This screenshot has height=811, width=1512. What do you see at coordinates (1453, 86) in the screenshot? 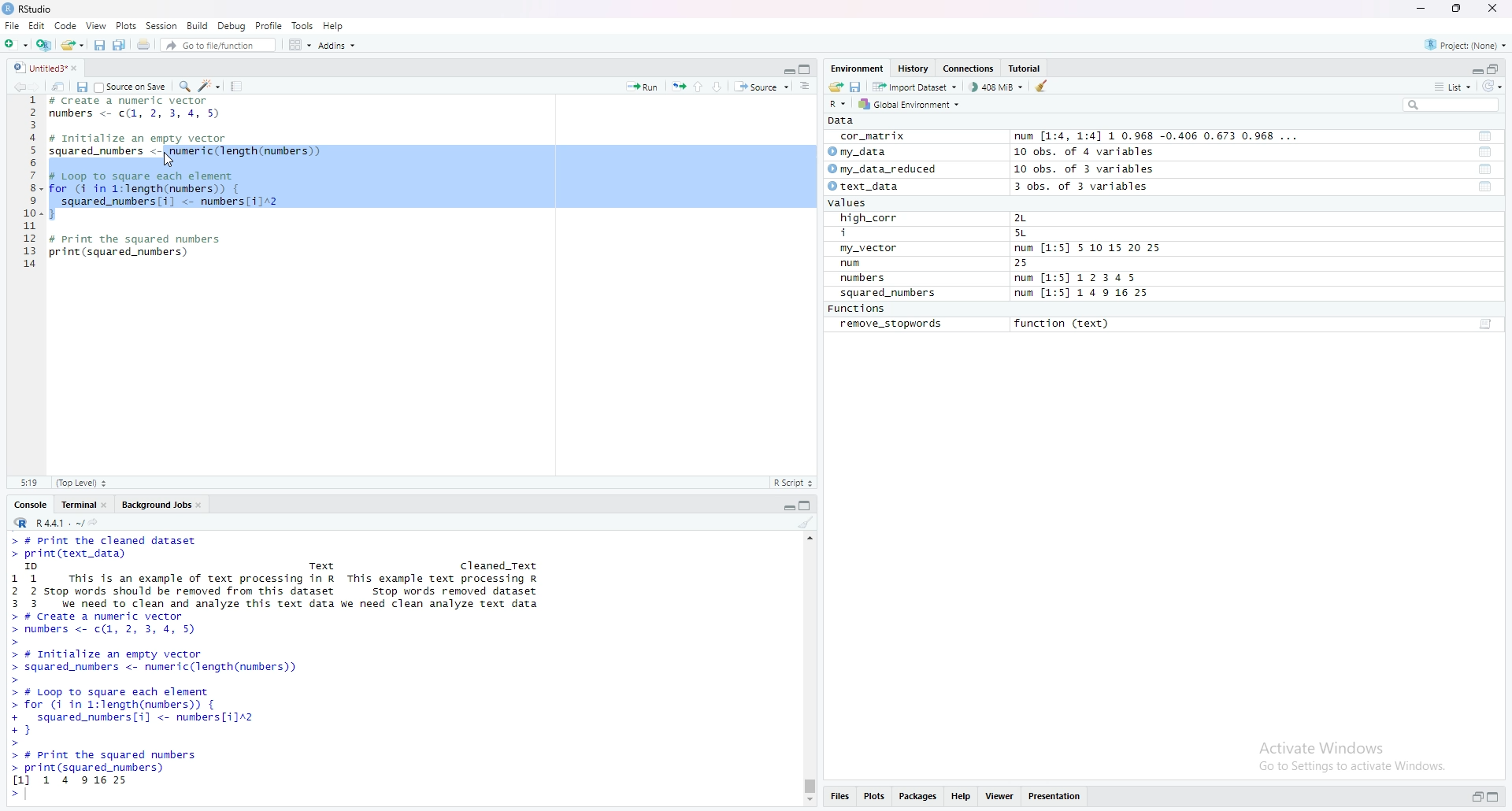
I see `List` at bounding box center [1453, 86].